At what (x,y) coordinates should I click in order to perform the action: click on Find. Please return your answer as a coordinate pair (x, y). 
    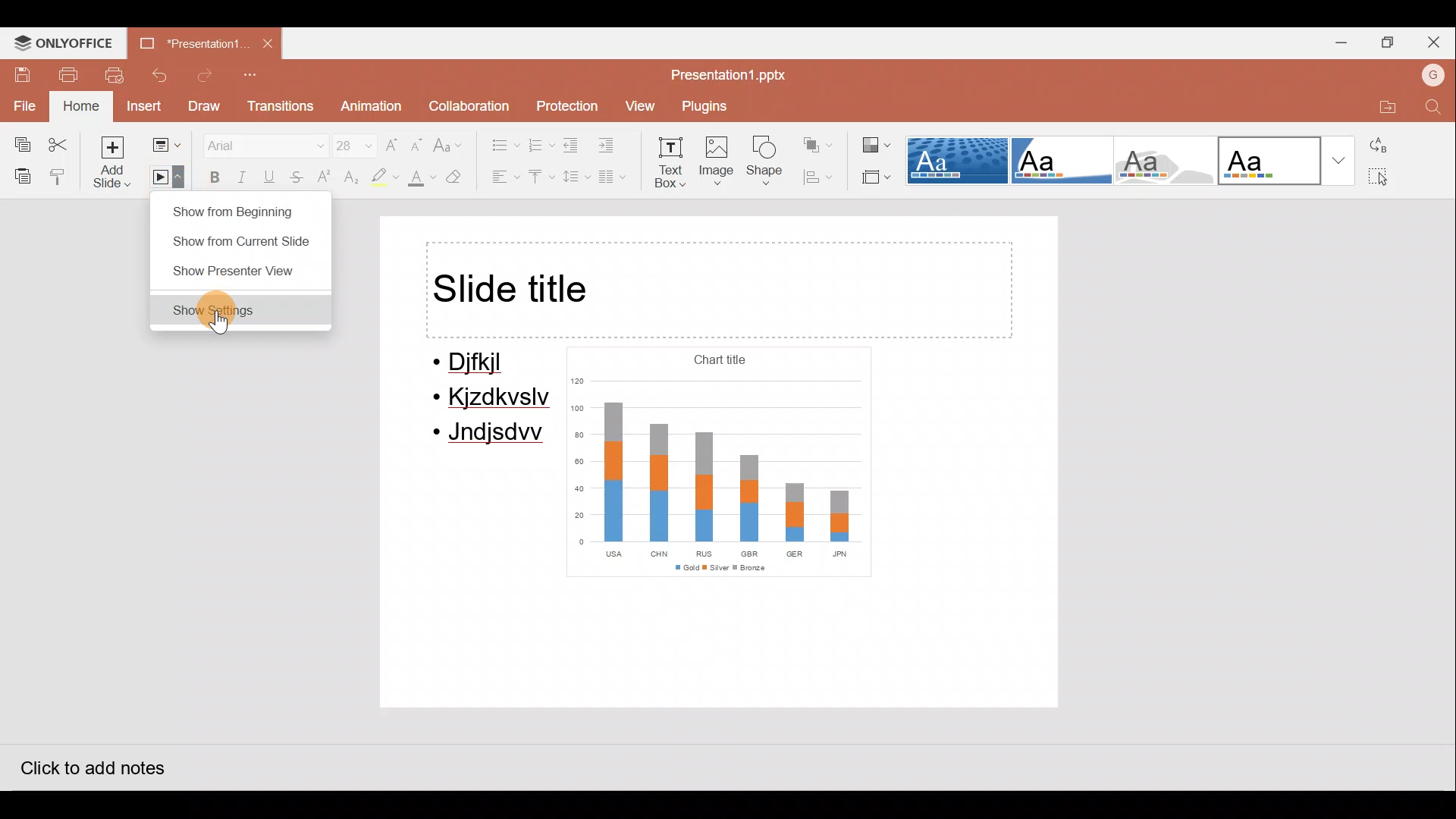
    Looking at the image, I should click on (1432, 108).